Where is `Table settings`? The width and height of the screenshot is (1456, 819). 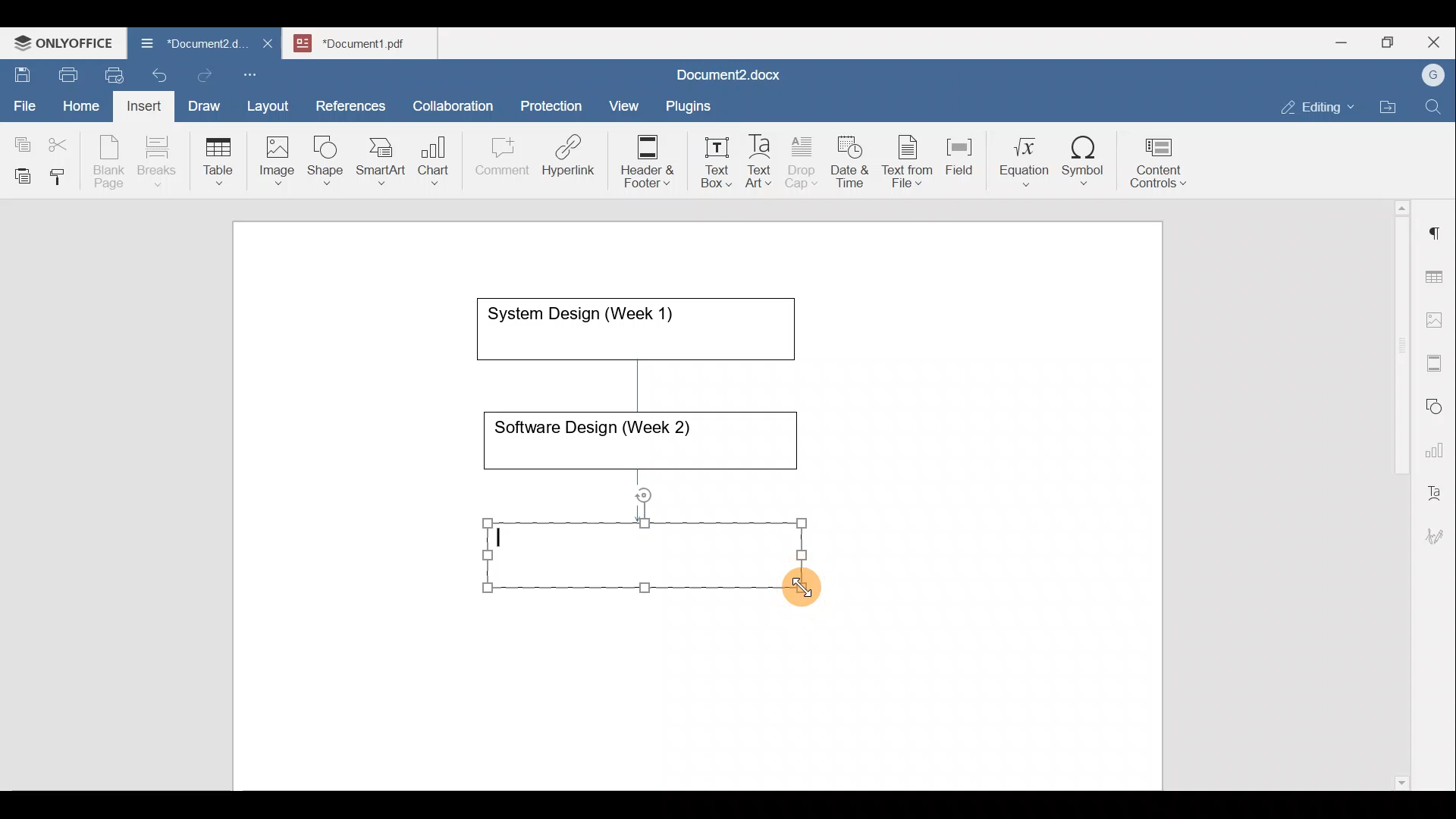 Table settings is located at coordinates (1437, 275).